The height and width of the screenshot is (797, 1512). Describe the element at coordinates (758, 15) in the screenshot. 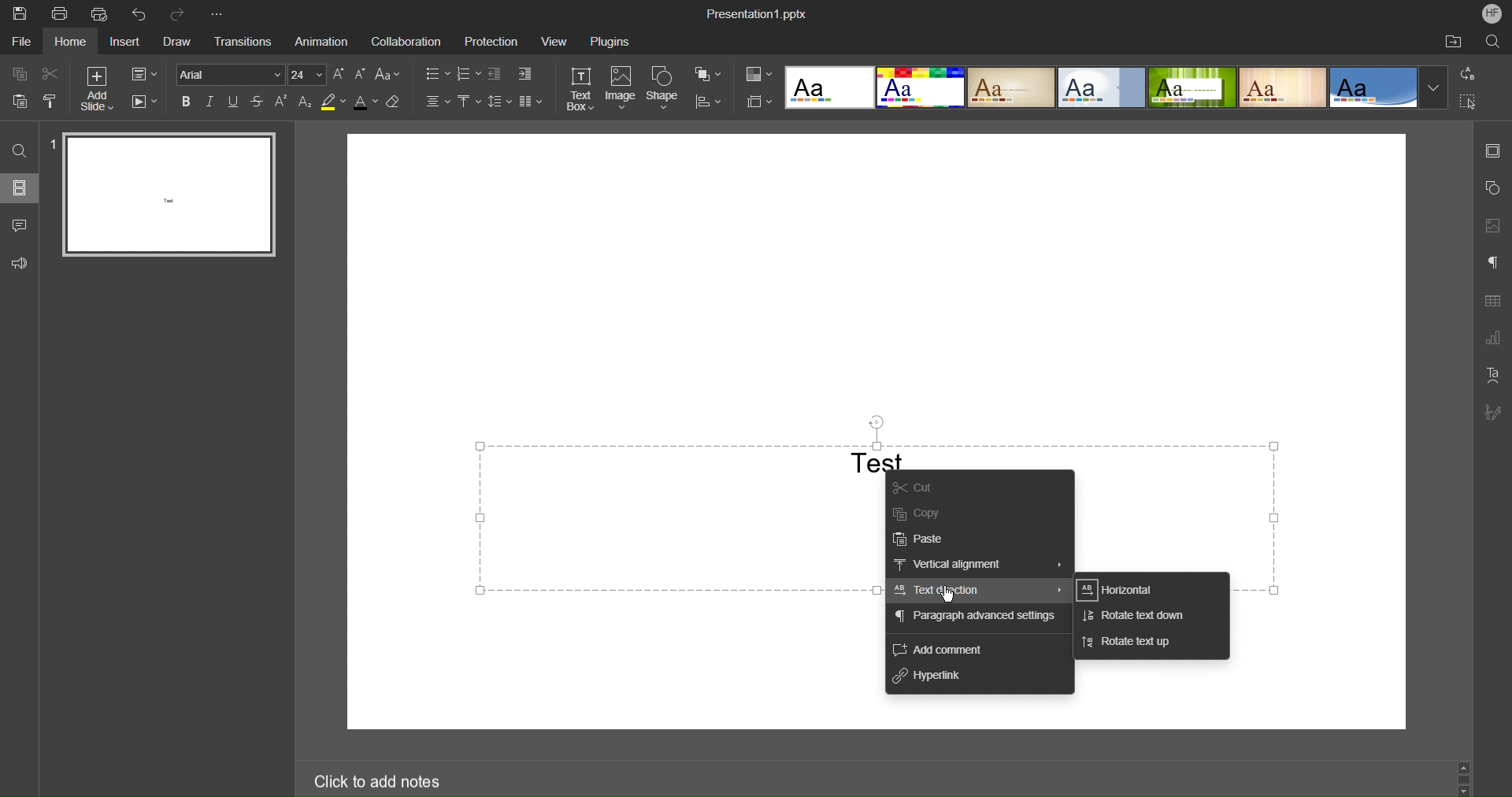

I see `Presentation1` at that location.